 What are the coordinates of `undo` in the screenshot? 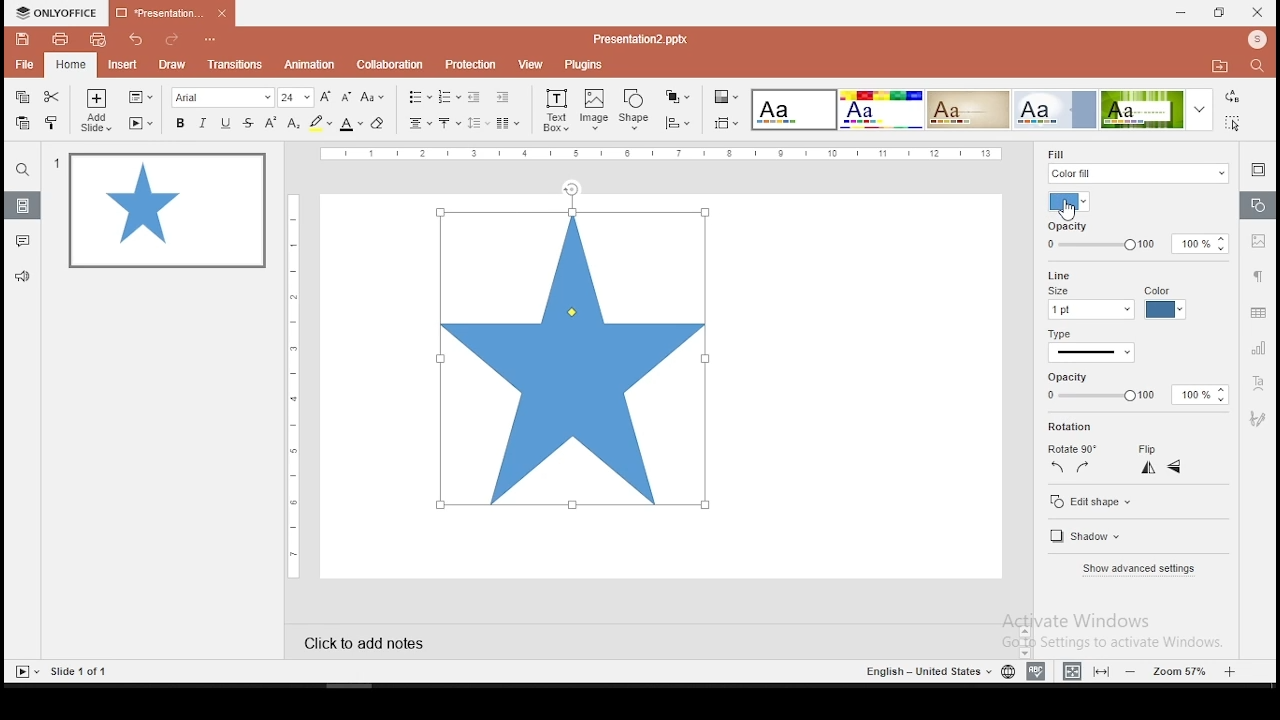 It's located at (138, 39).